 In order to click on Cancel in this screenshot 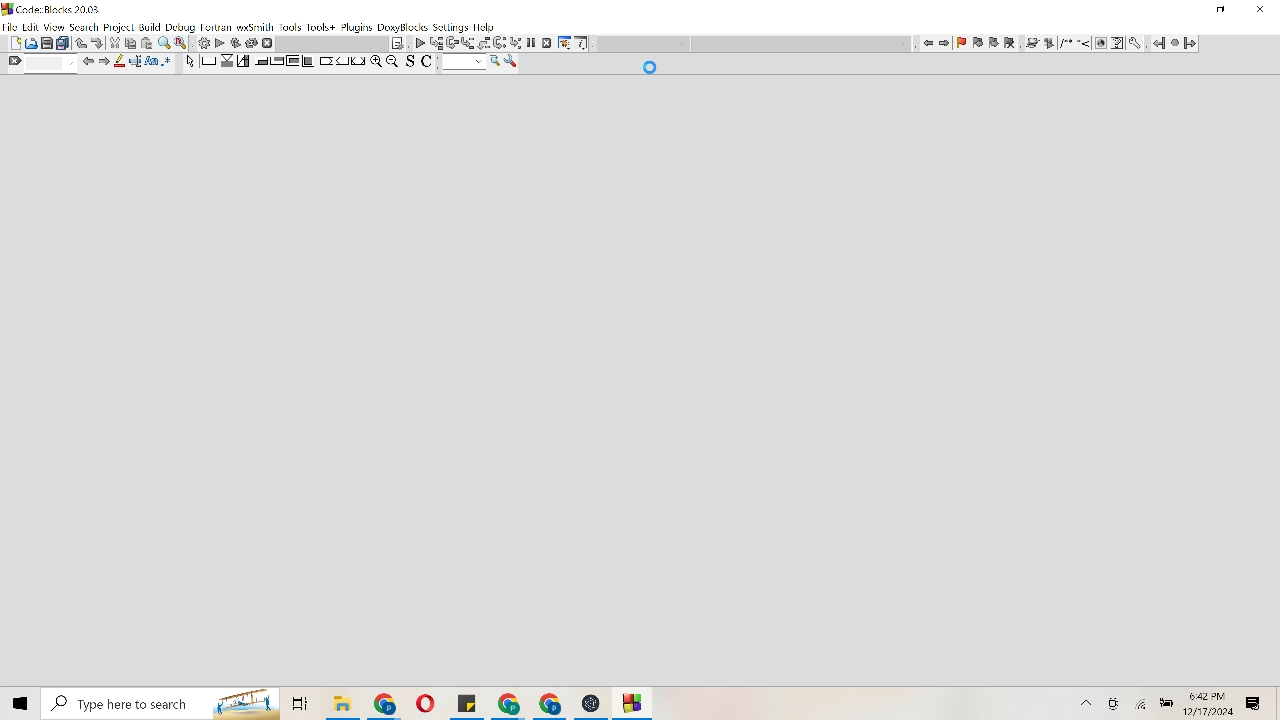, I will do `click(268, 43)`.